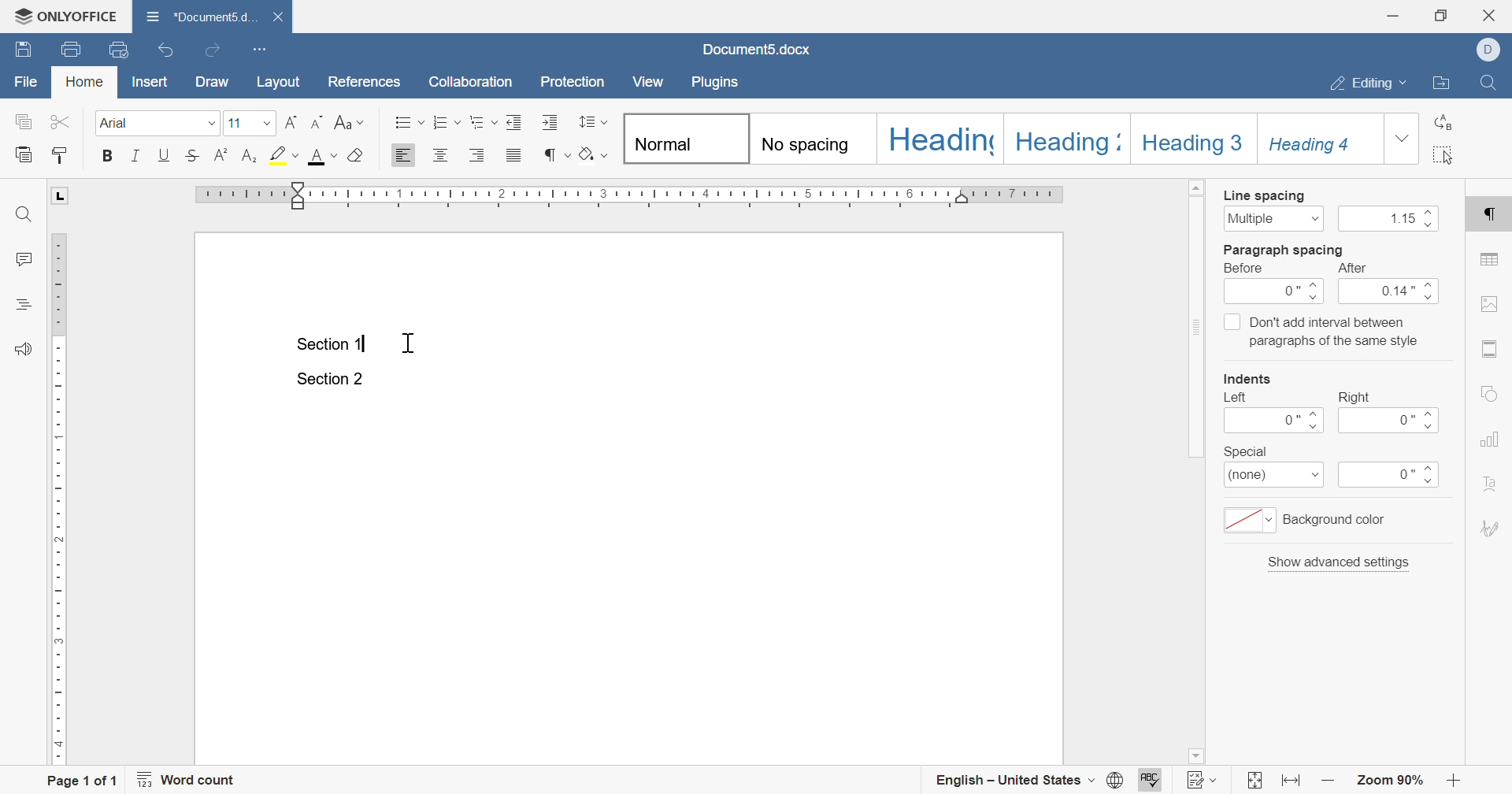 The width and height of the screenshot is (1512, 794). I want to click on clear style, so click(358, 155).